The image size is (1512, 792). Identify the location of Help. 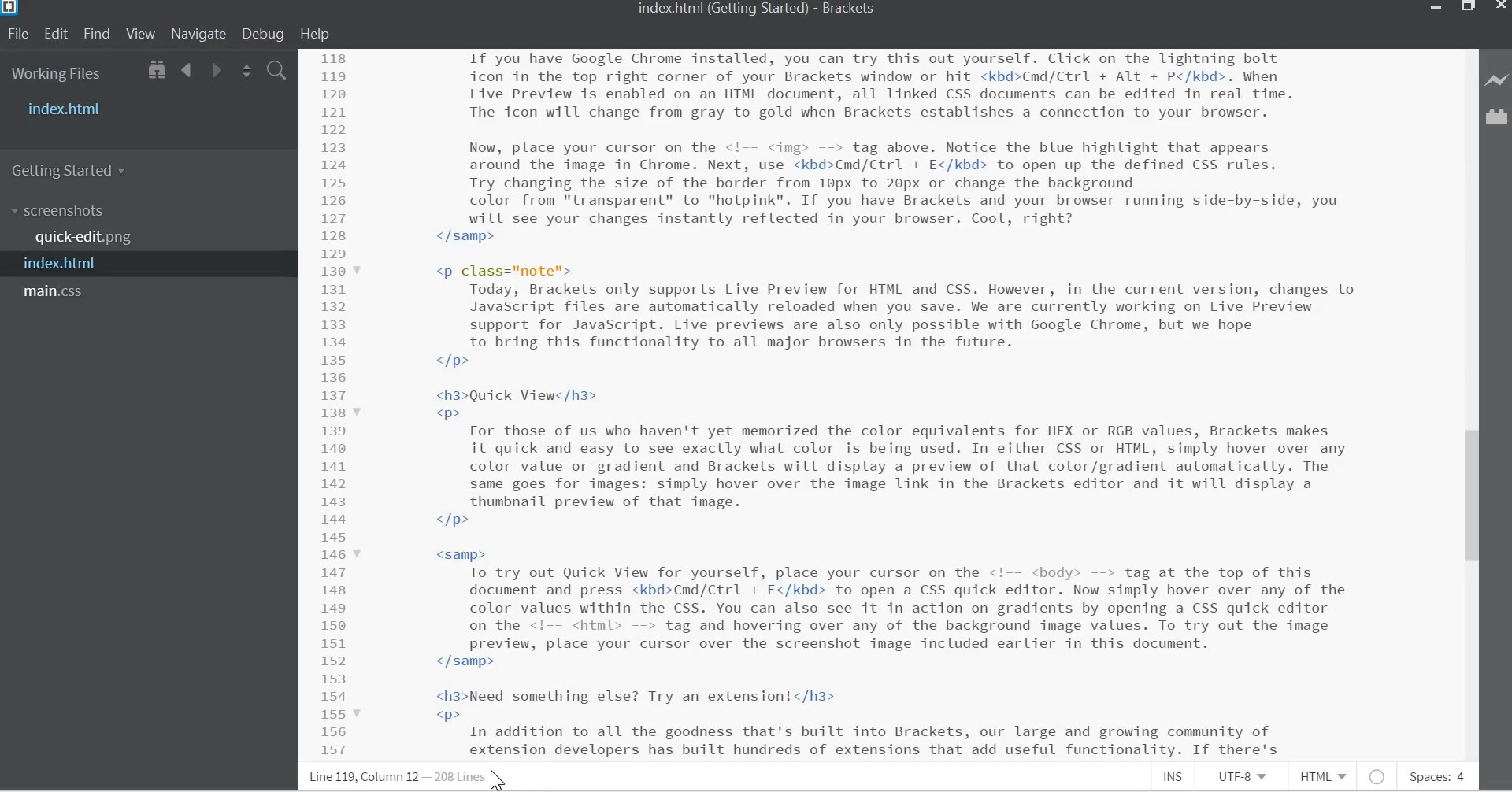
(317, 35).